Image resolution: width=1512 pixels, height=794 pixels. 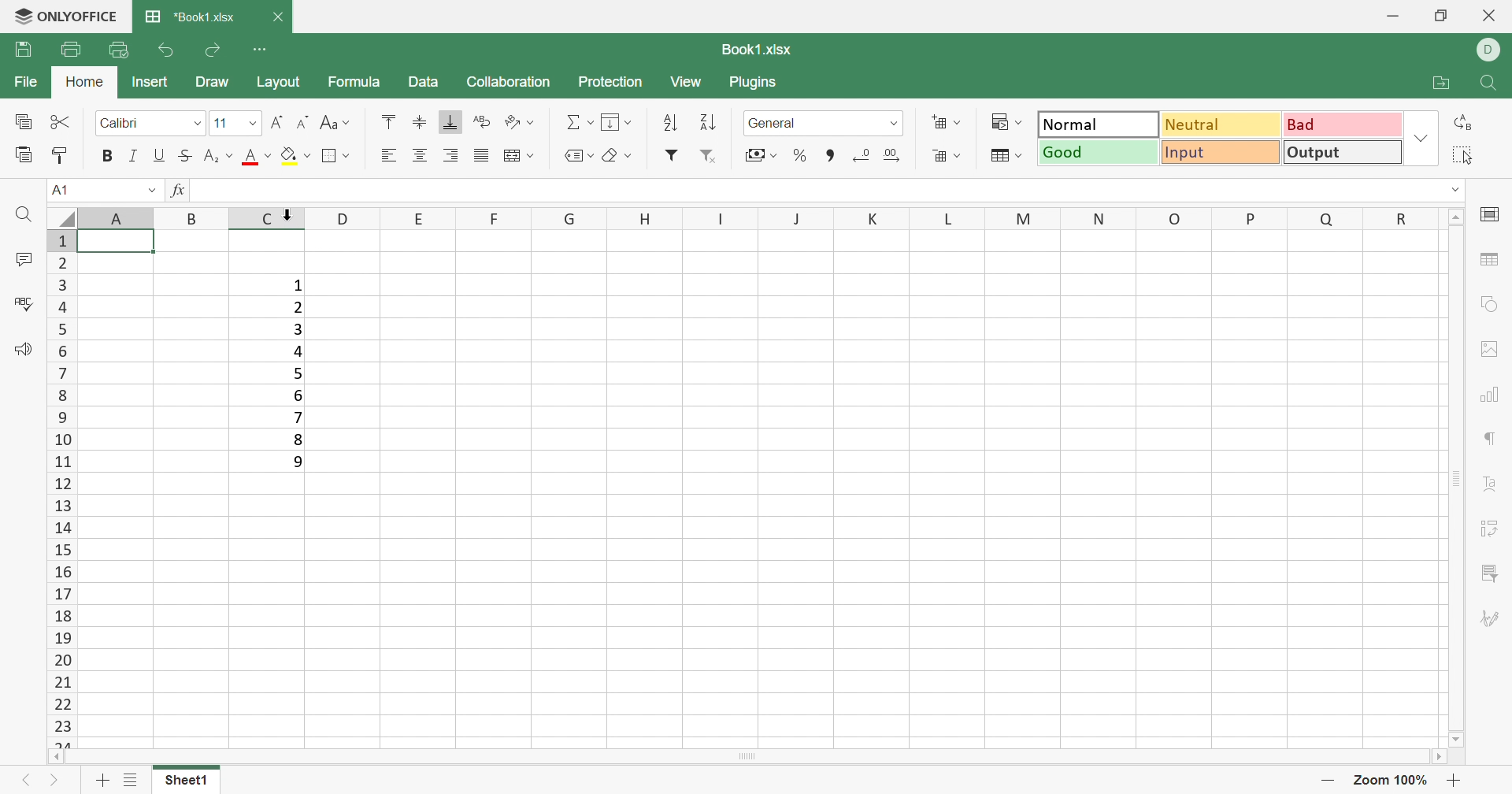 What do you see at coordinates (218, 155) in the screenshot?
I see `Superscript / subscript` at bounding box center [218, 155].